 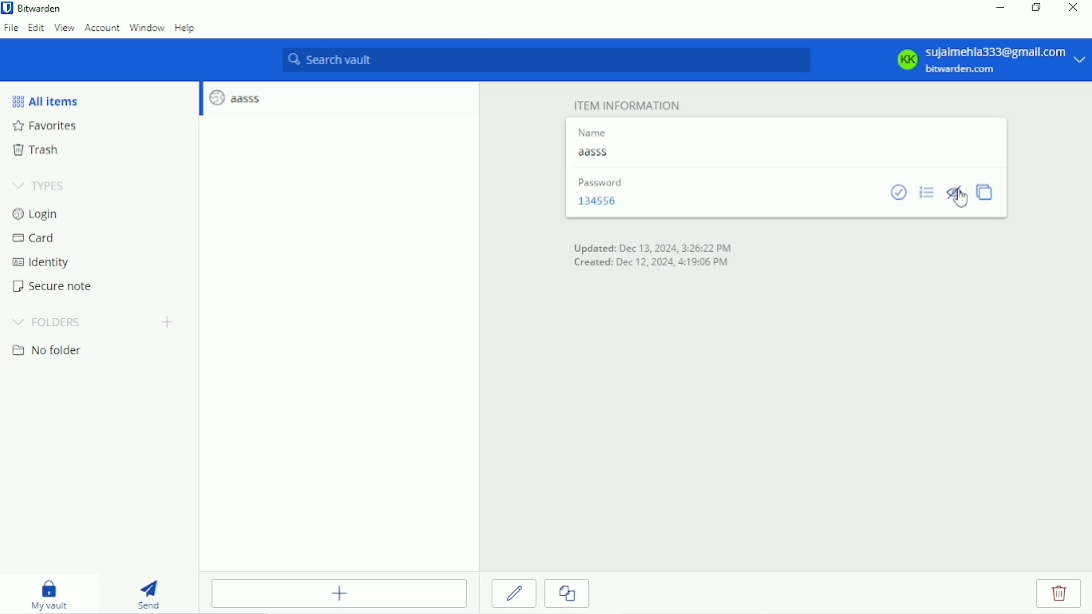 I want to click on Login, so click(x=37, y=214).